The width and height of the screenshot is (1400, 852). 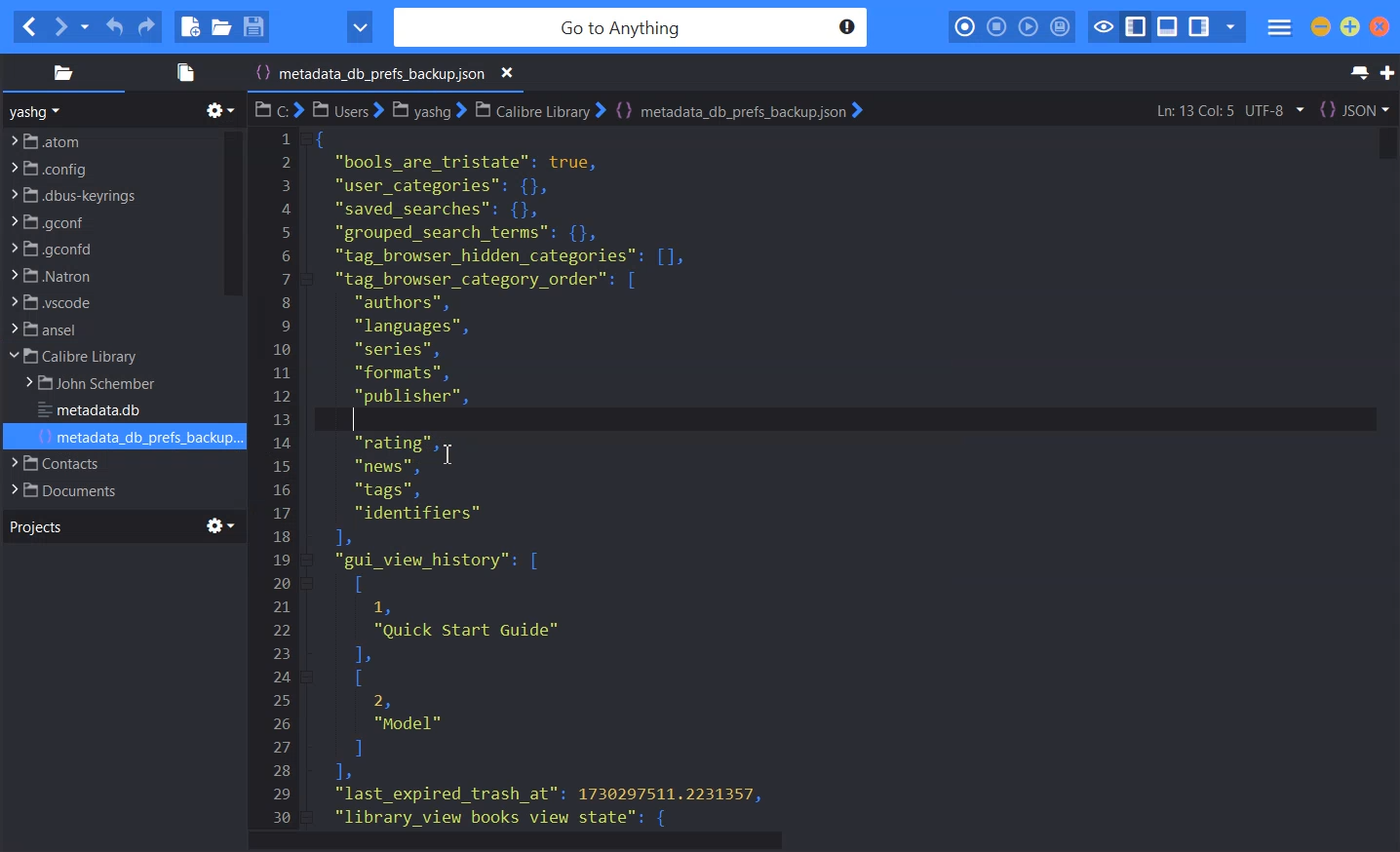 What do you see at coordinates (1199, 27) in the screenshot?
I see `Show/Hide right pane` at bounding box center [1199, 27].